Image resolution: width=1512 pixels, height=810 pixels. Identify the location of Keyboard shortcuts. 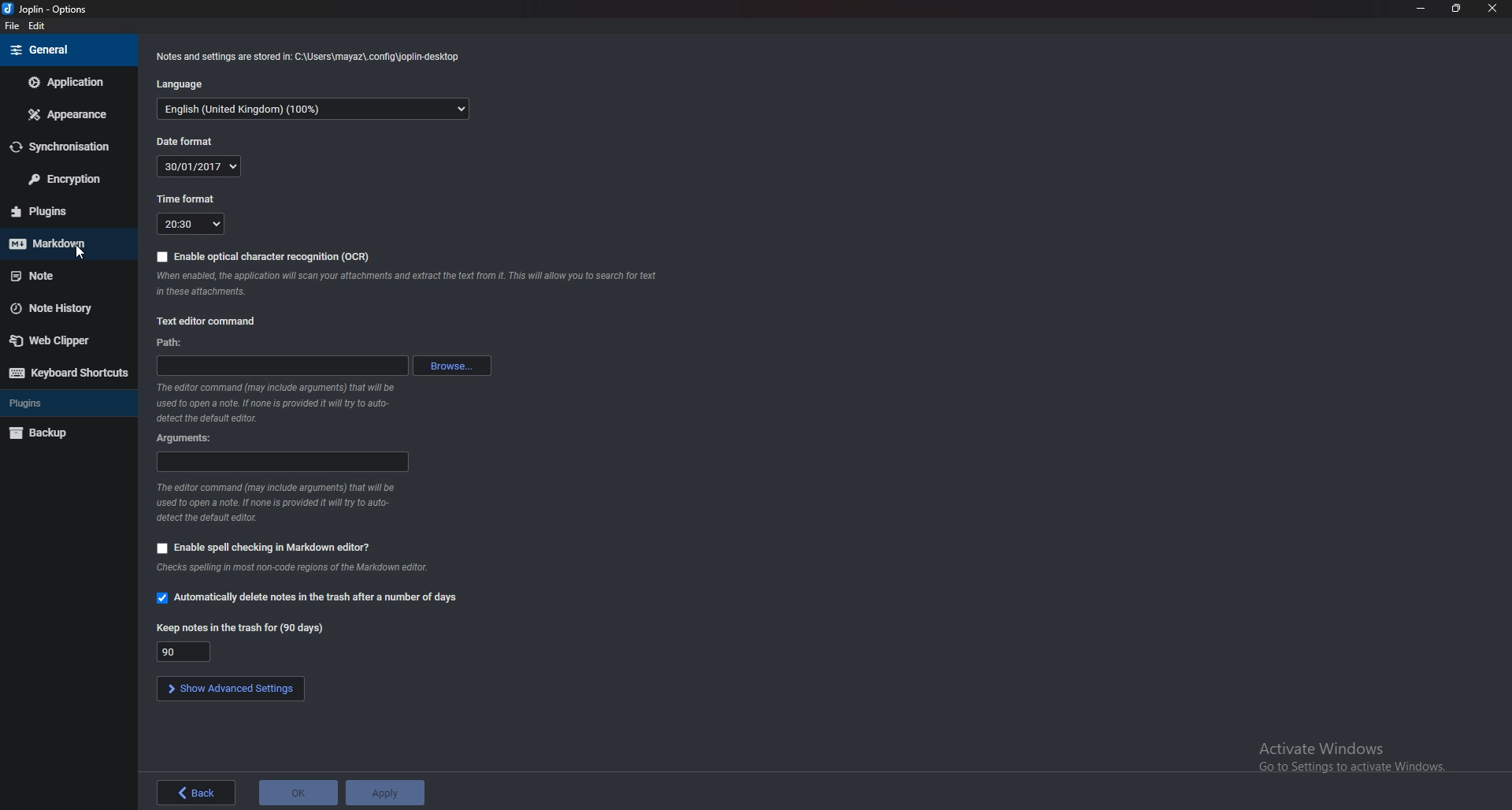
(65, 373).